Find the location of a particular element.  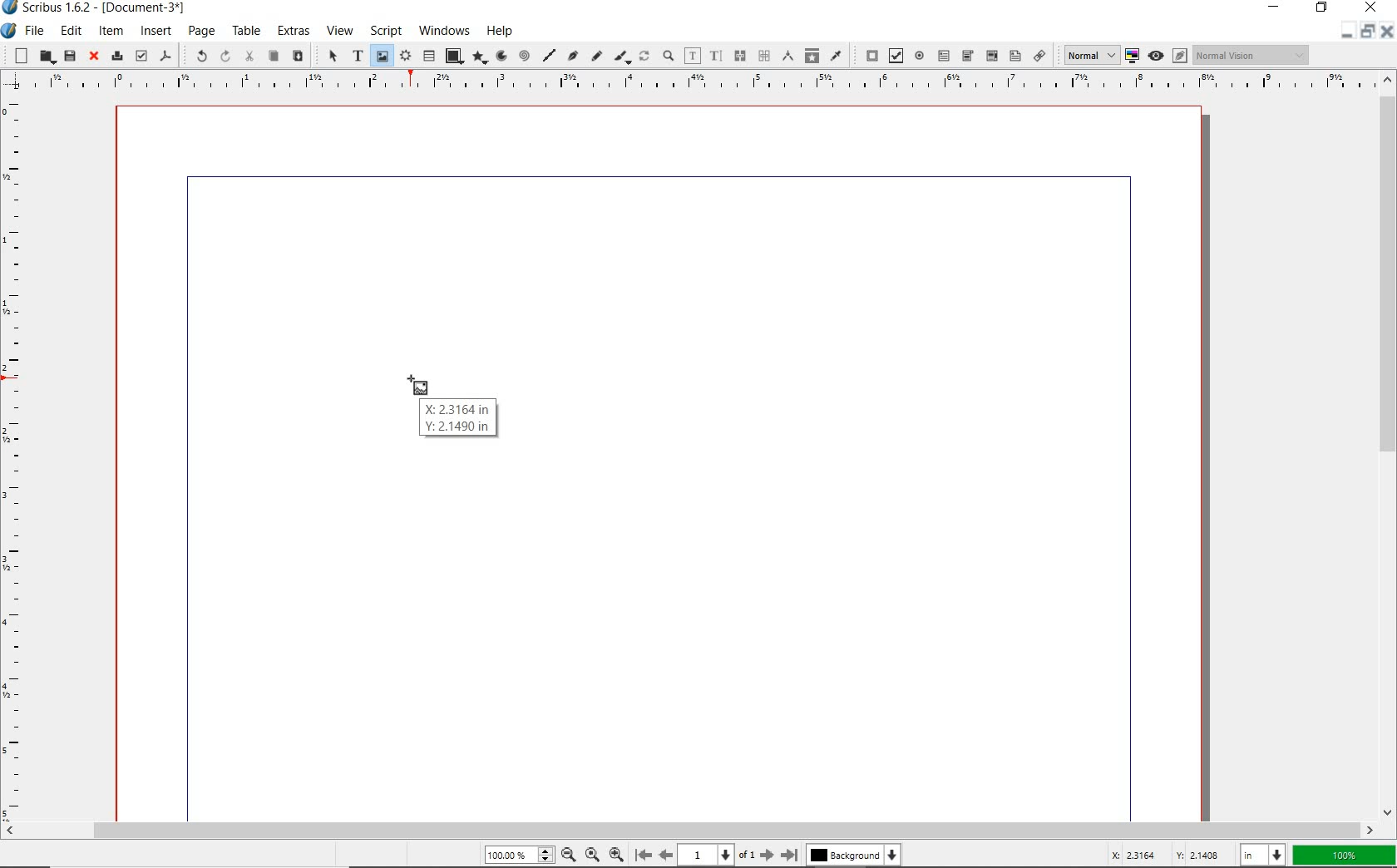

shape is located at coordinates (453, 56).